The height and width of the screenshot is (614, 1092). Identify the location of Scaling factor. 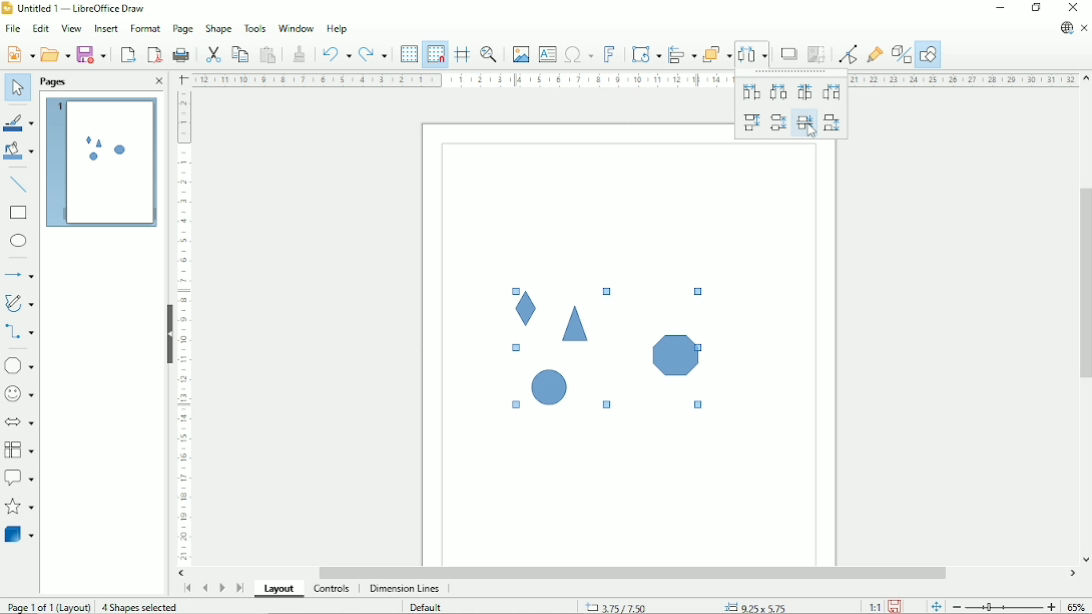
(874, 606).